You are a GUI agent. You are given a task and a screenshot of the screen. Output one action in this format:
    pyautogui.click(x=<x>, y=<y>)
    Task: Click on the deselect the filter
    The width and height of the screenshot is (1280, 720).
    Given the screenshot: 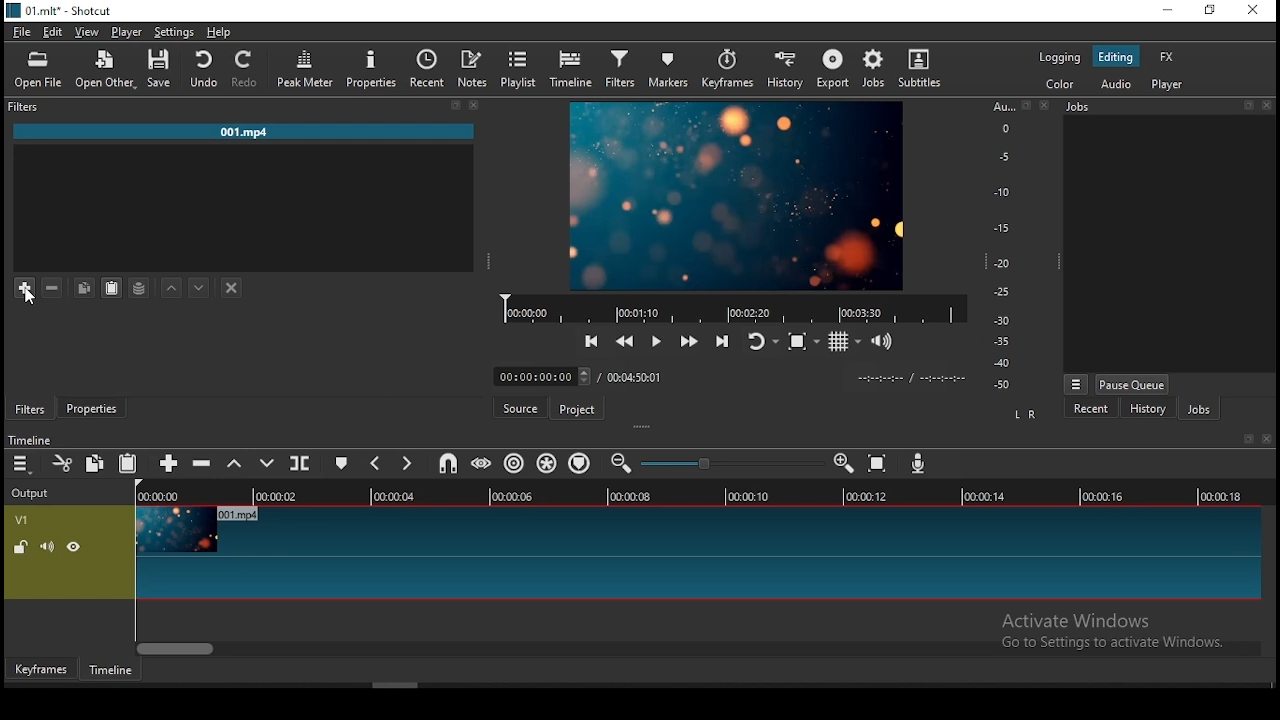 What is the action you would take?
    pyautogui.click(x=236, y=287)
    